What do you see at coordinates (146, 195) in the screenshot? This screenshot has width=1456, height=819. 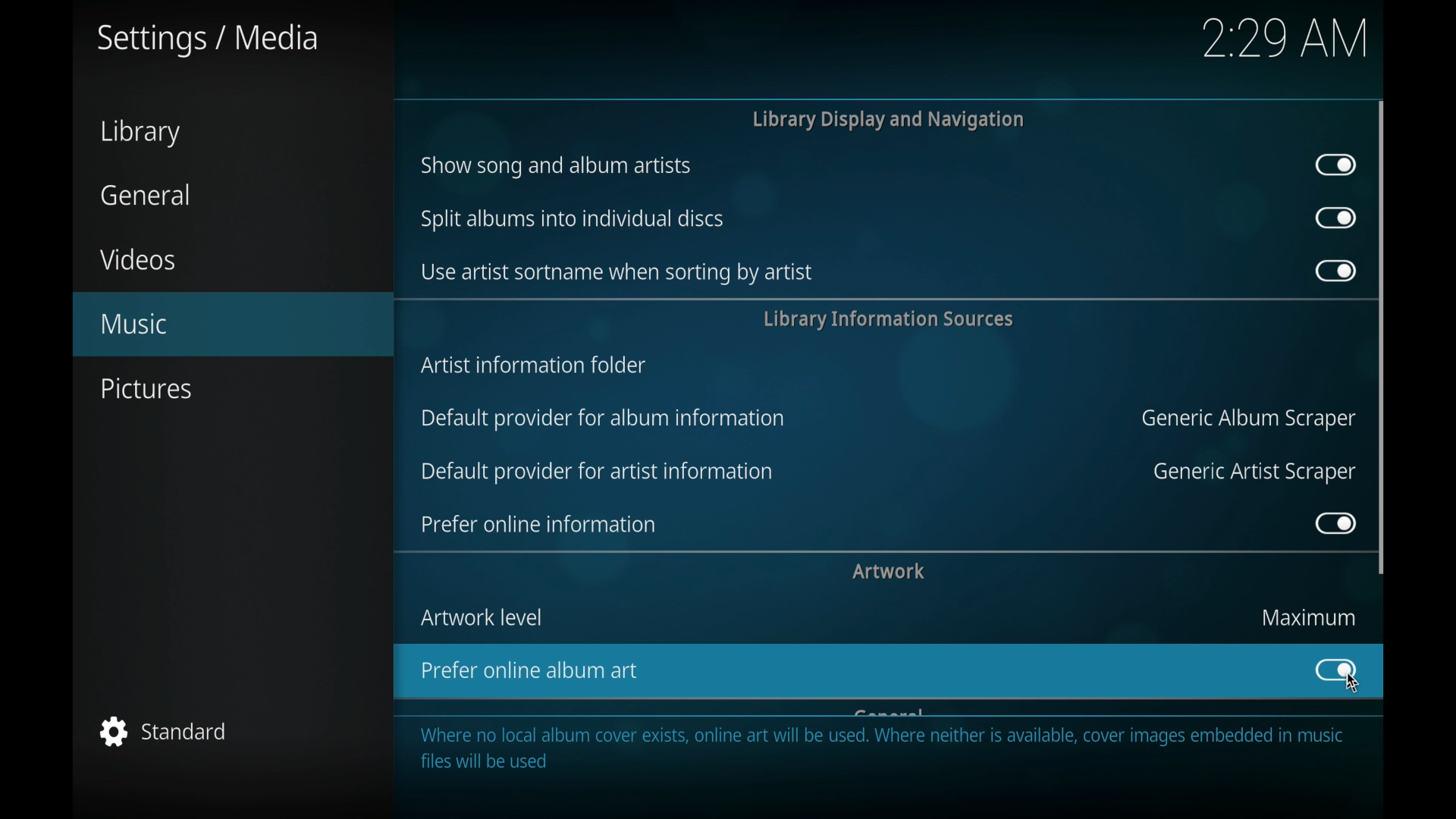 I see `general` at bounding box center [146, 195].